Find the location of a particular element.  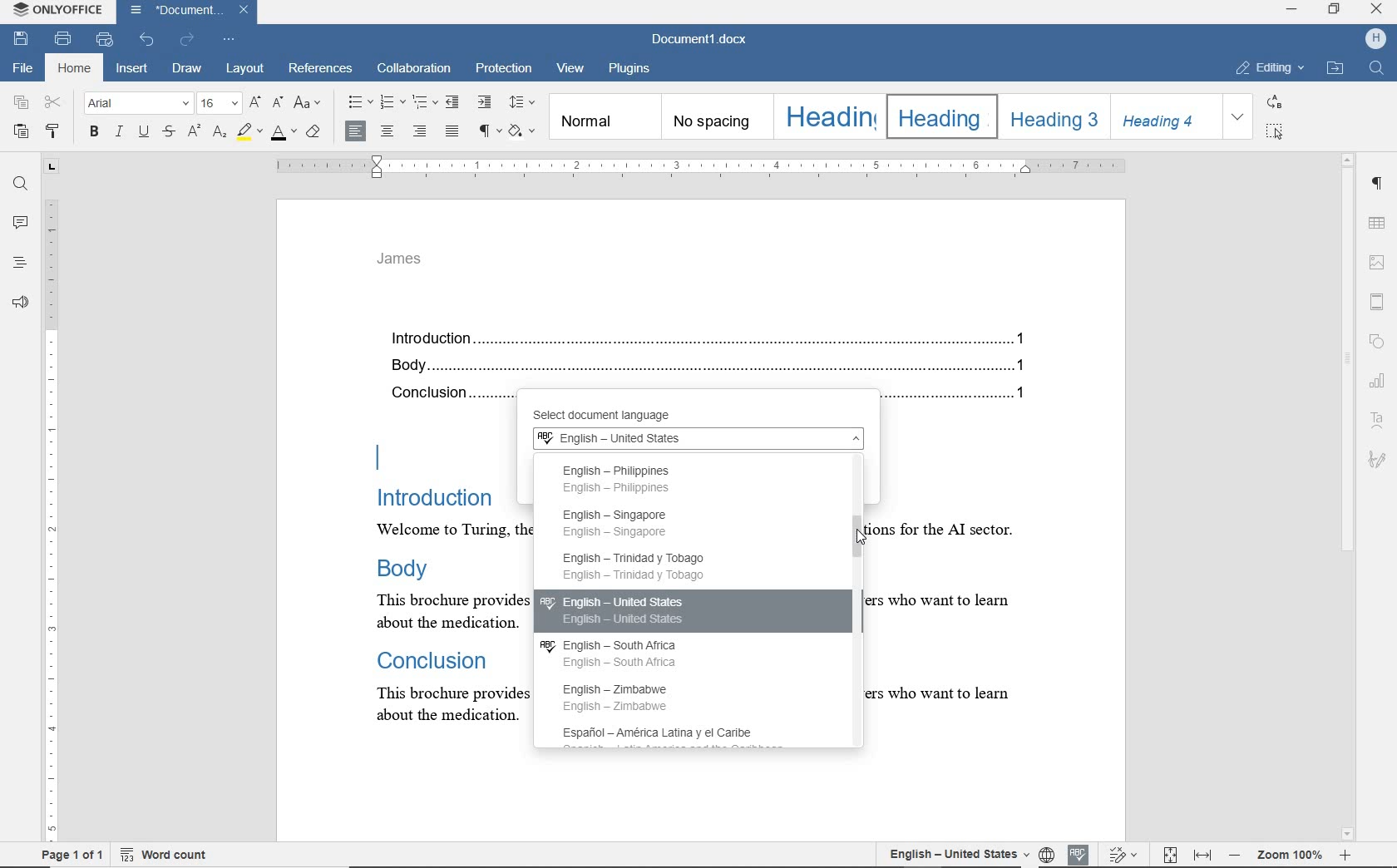

EDITING is located at coordinates (1271, 69).